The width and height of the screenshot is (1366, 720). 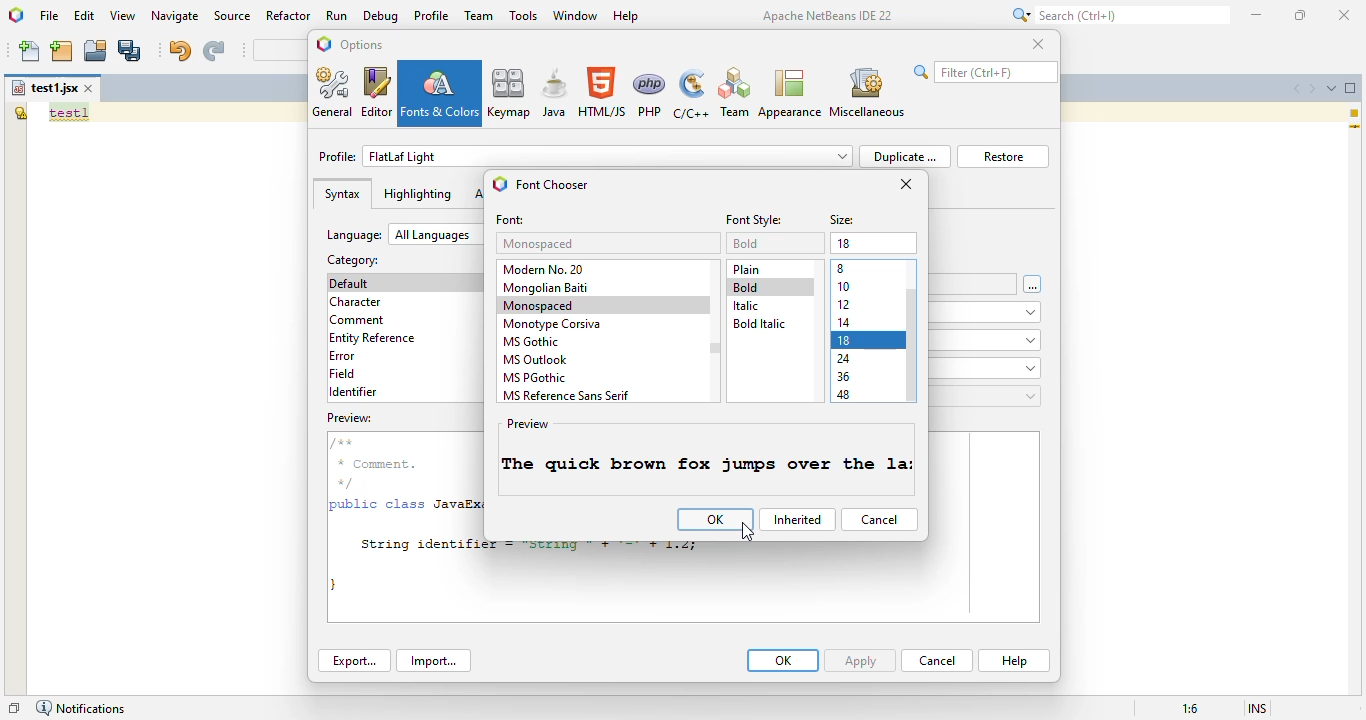 I want to click on close, so click(x=907, y=184).